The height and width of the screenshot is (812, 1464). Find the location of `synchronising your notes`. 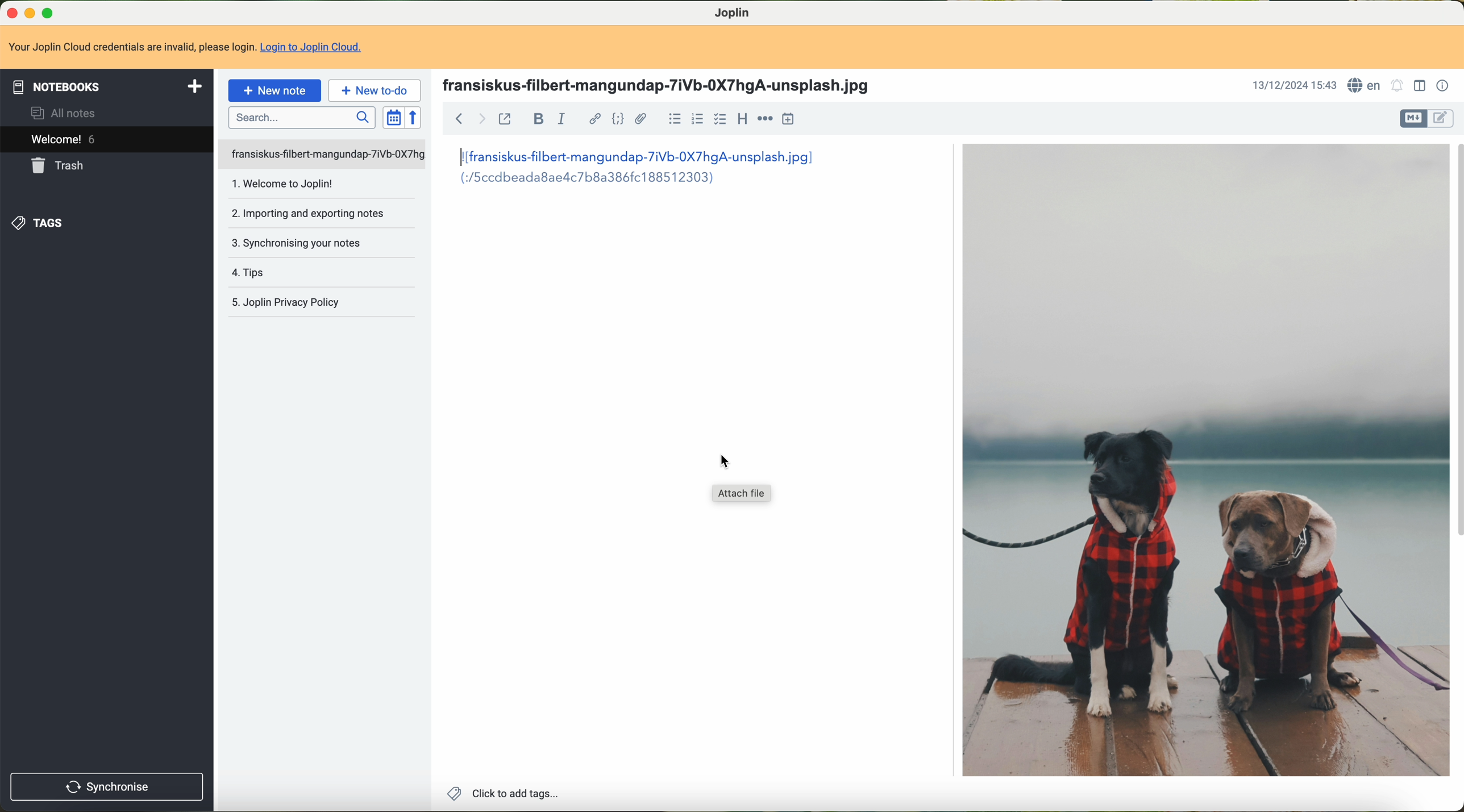

synchronising your notes is located at coordinates (296, 244).